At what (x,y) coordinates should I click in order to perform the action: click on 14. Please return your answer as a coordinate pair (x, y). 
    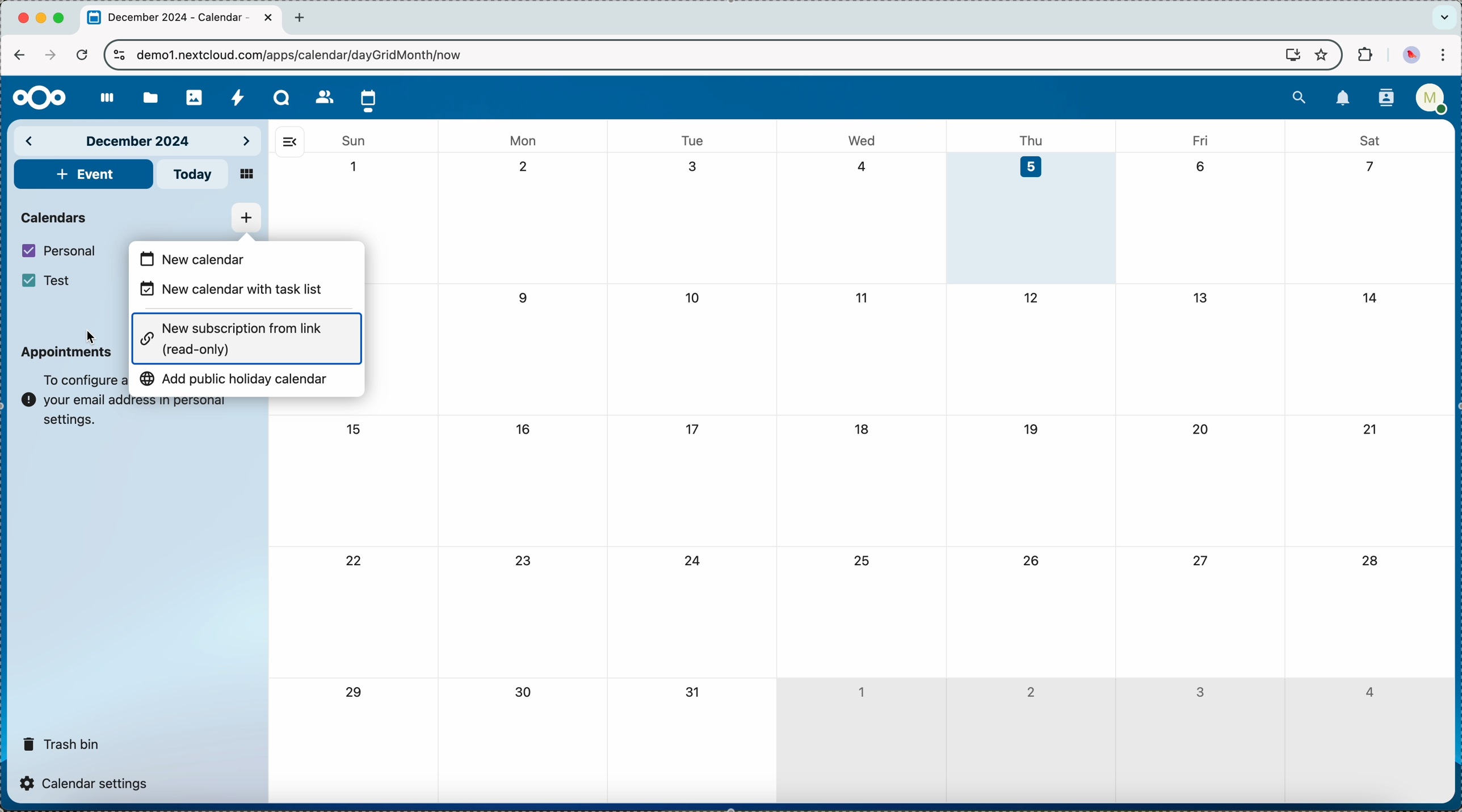
    Looking at the image, I should click on (1374, 296).